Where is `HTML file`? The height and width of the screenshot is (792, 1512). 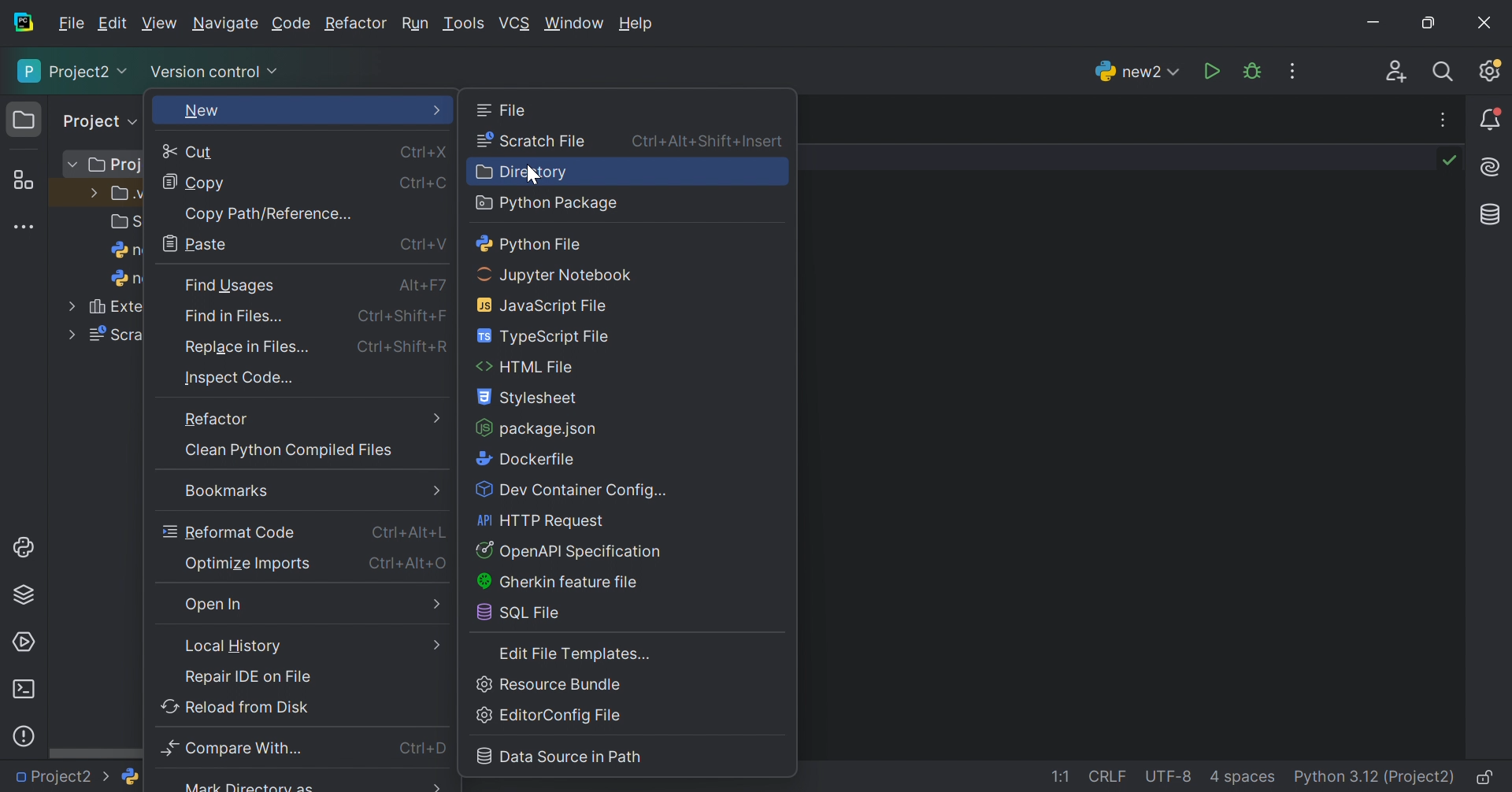 HTML file is located at coordinates (525, 367).